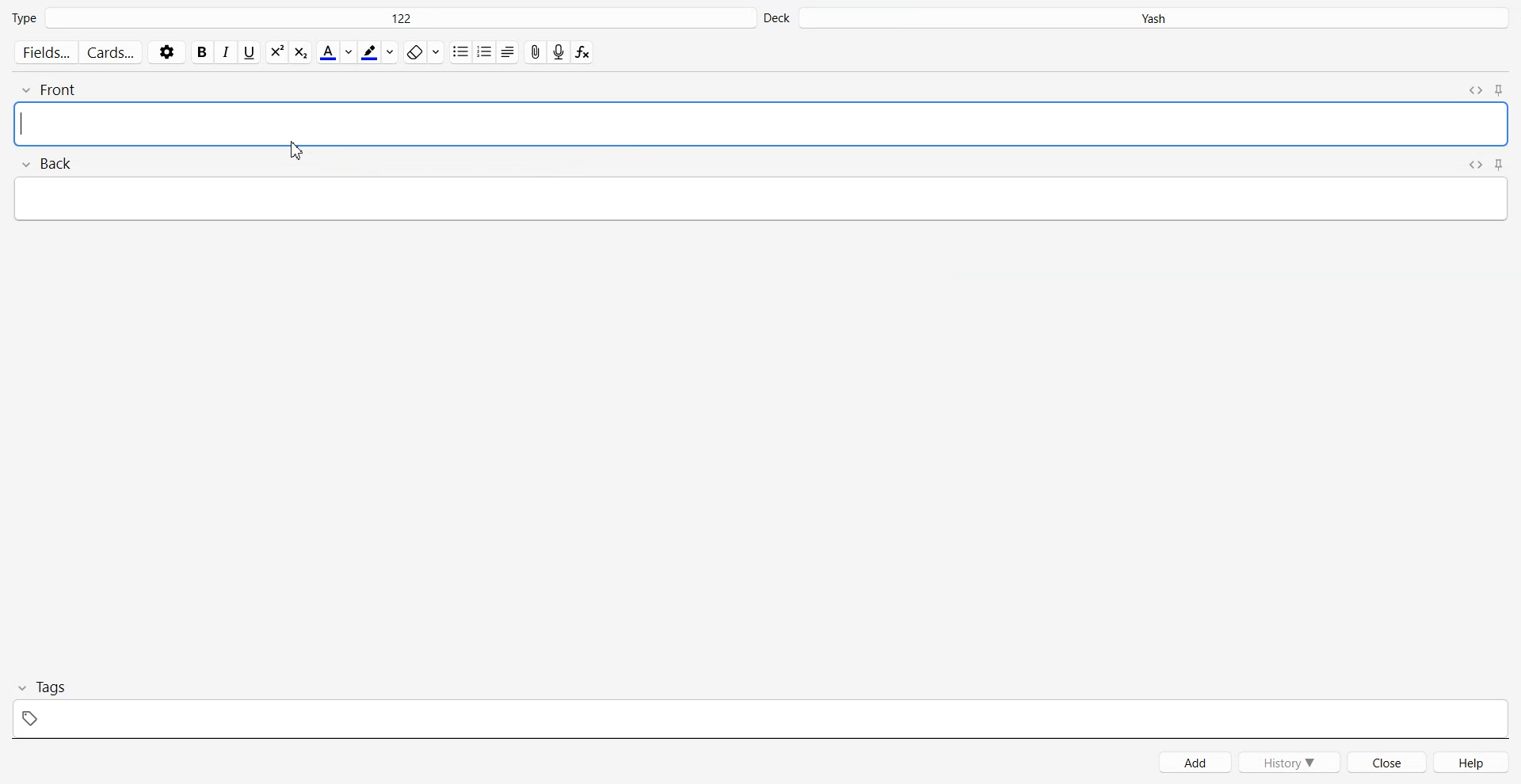 This screenshot has width=1521, height=784. Describe the element at coordinates (1388, 762) in the screenshot. I see `Close` at that location.